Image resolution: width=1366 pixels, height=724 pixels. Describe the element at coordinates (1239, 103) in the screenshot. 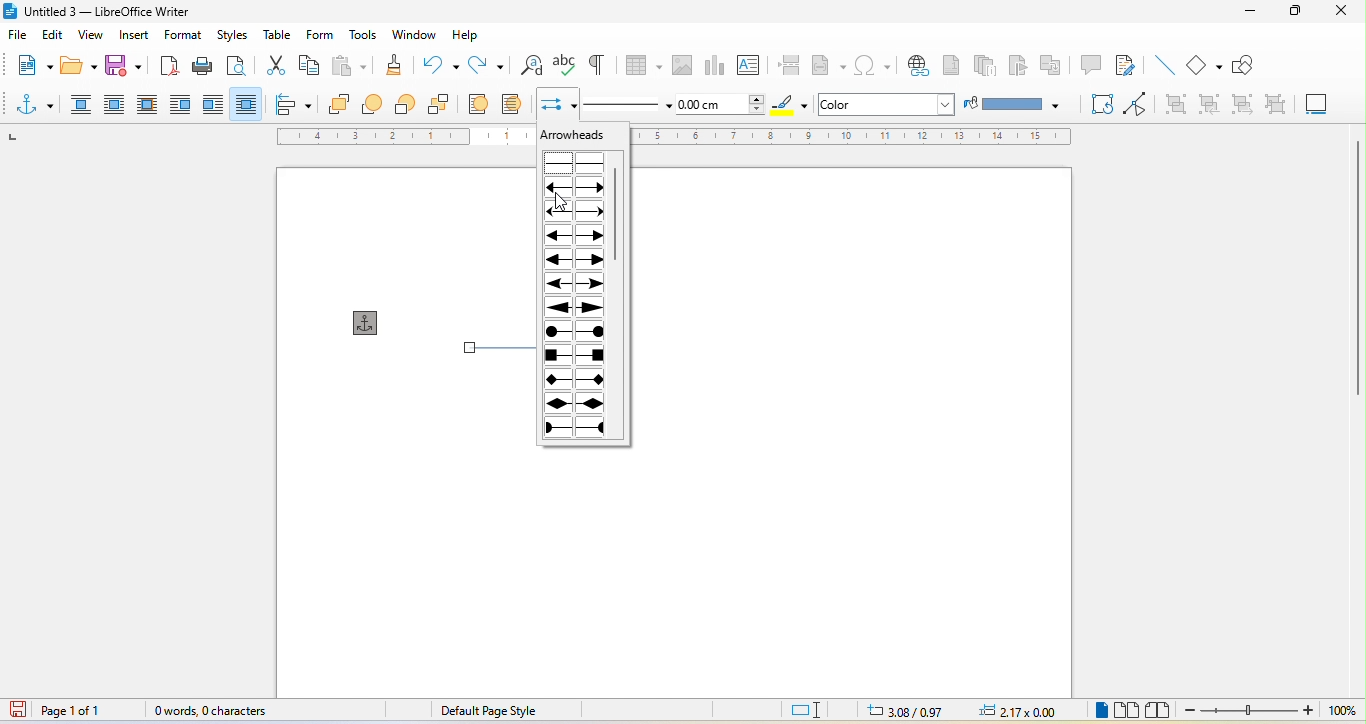

I see `exit group` at that location.